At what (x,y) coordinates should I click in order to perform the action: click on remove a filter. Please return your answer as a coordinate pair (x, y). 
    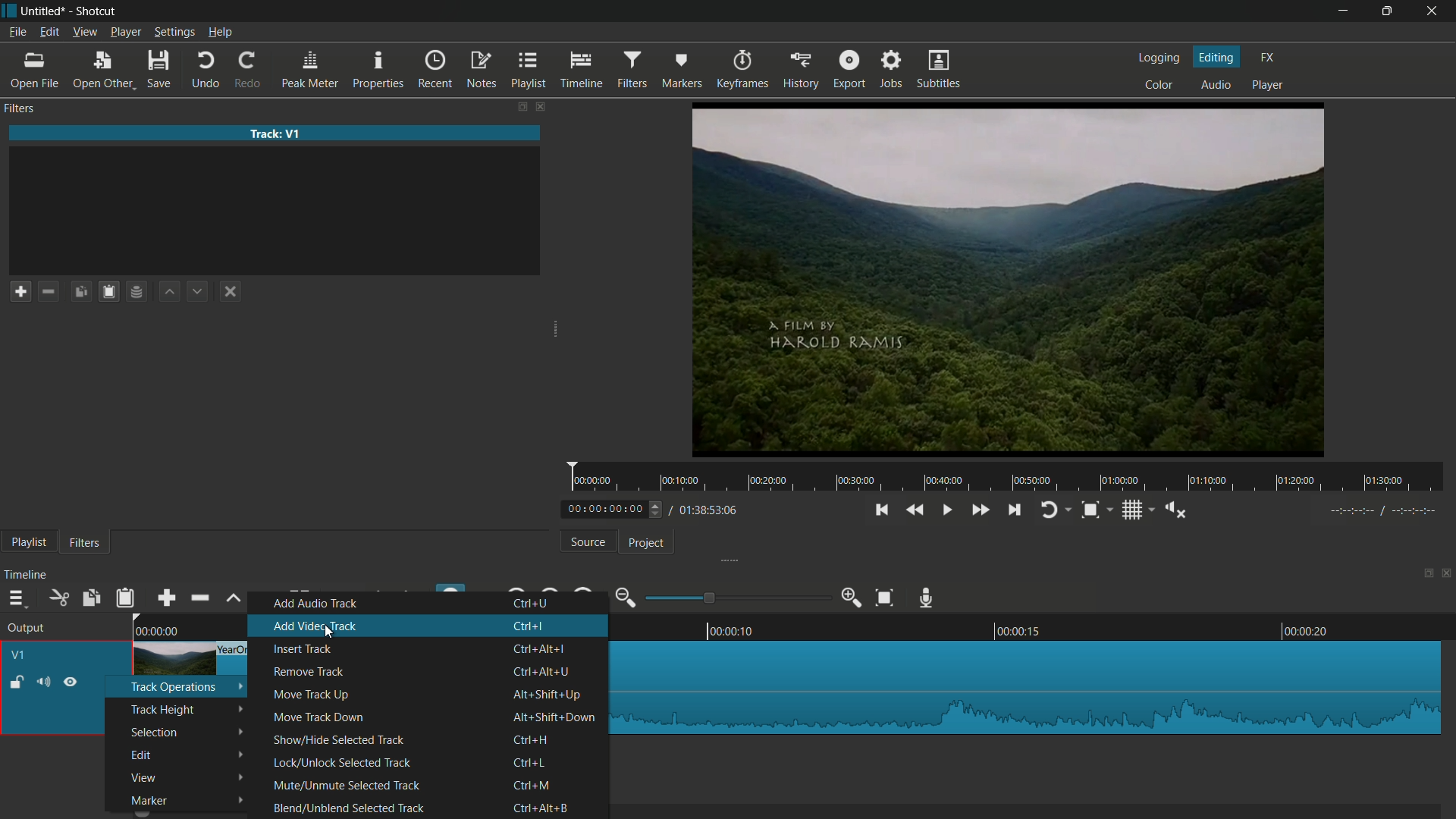
    Looking at the image, I should click on (49, 291).